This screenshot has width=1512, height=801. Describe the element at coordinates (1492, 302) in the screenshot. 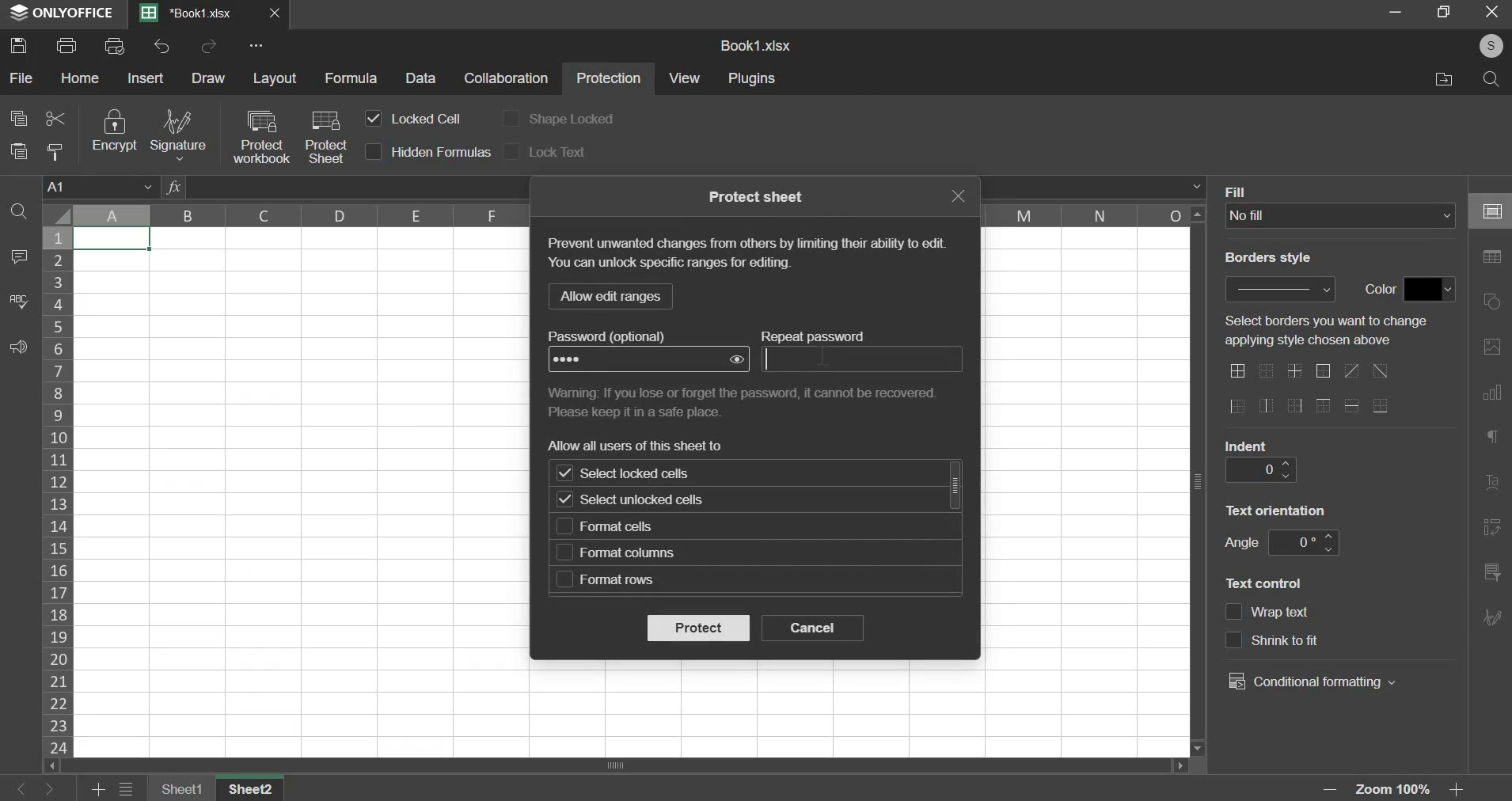

I see `right side bar` at that location.